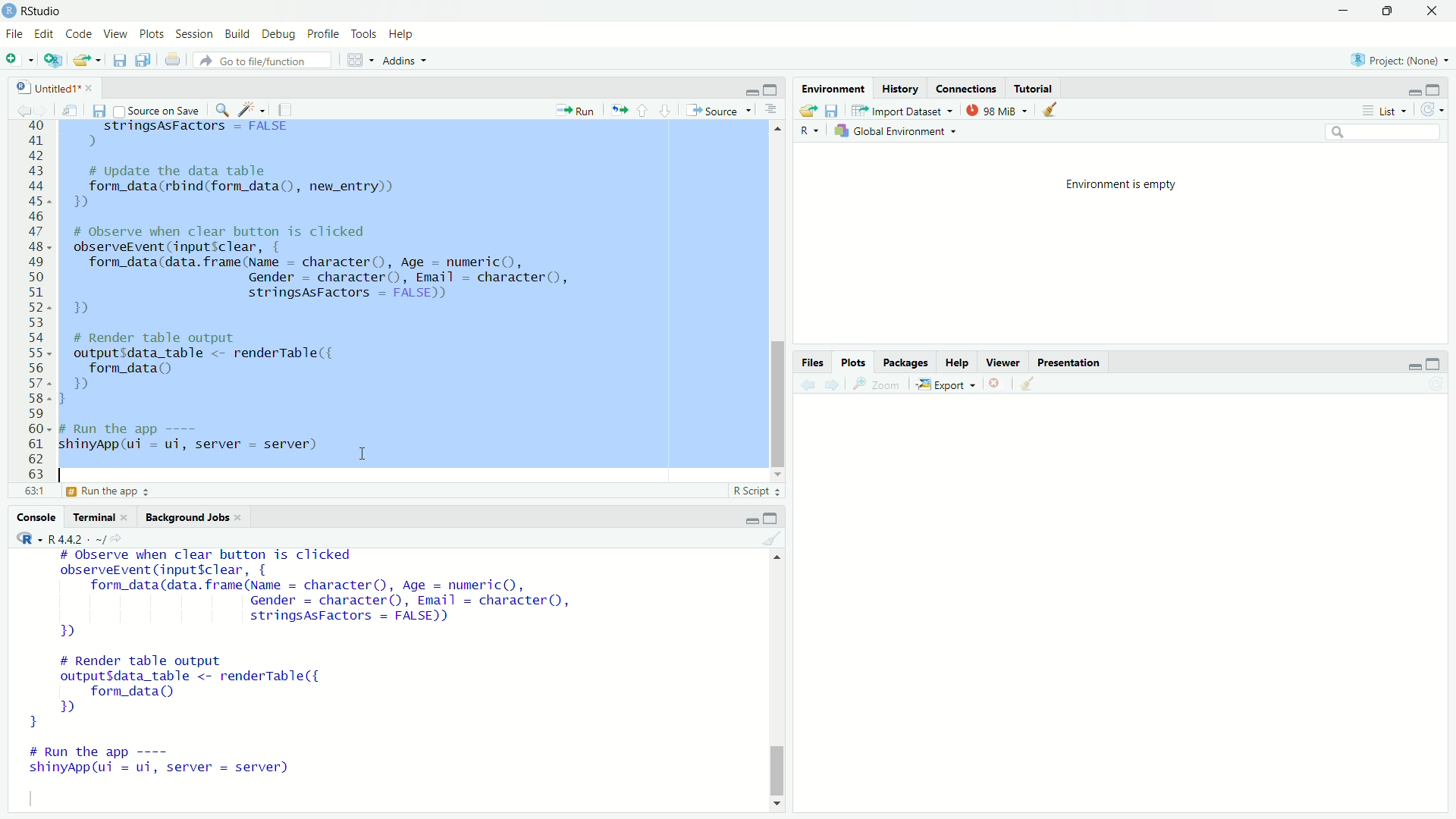 This screenshot has height=819, width=1456. I want to click on Addins, so click(405, 58).